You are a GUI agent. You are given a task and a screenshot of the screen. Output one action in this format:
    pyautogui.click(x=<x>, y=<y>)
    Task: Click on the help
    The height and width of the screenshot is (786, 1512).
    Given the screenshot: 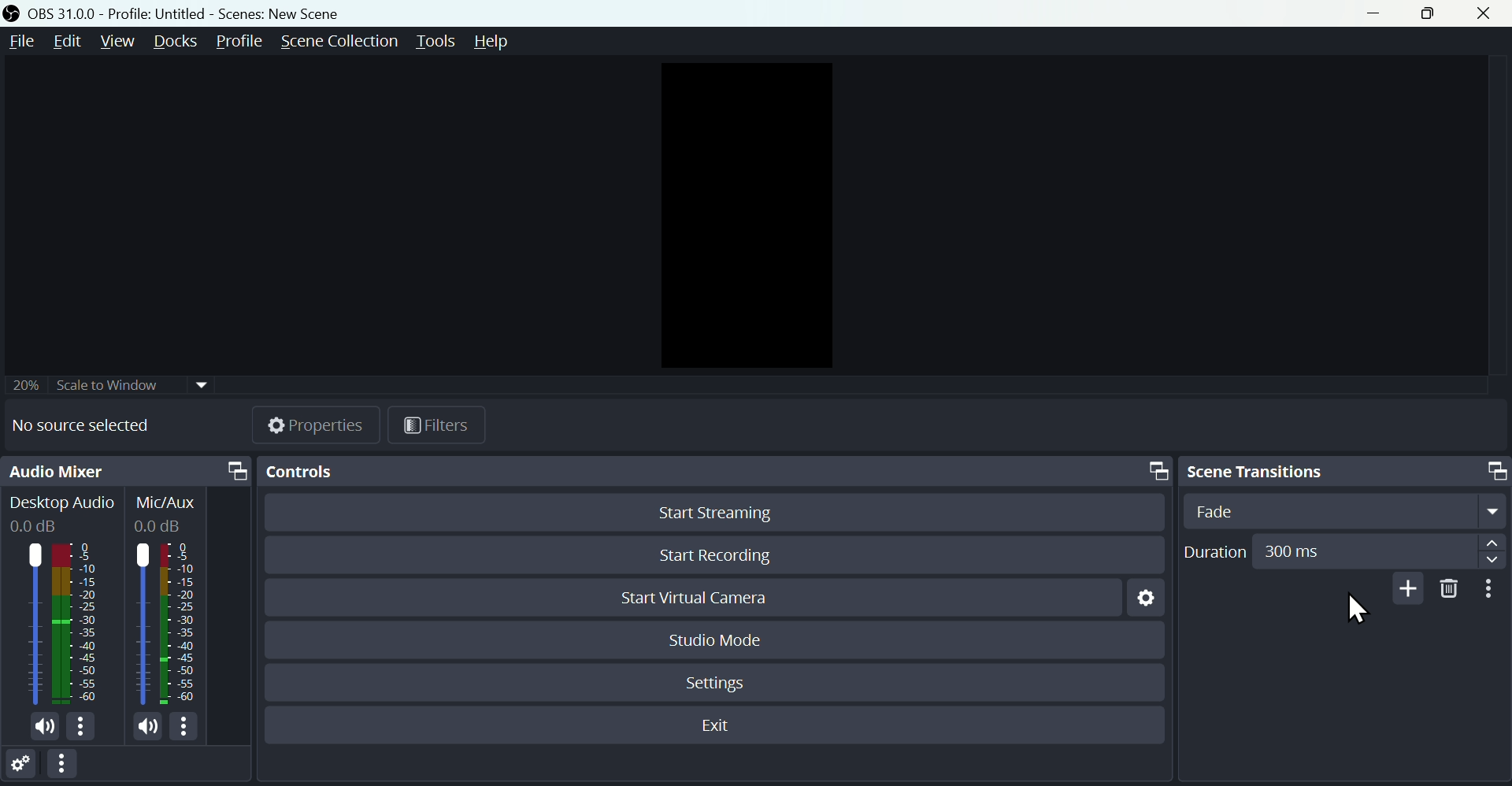 What is the action you would take?
    pyautogui.click(x=495, y=41)
    